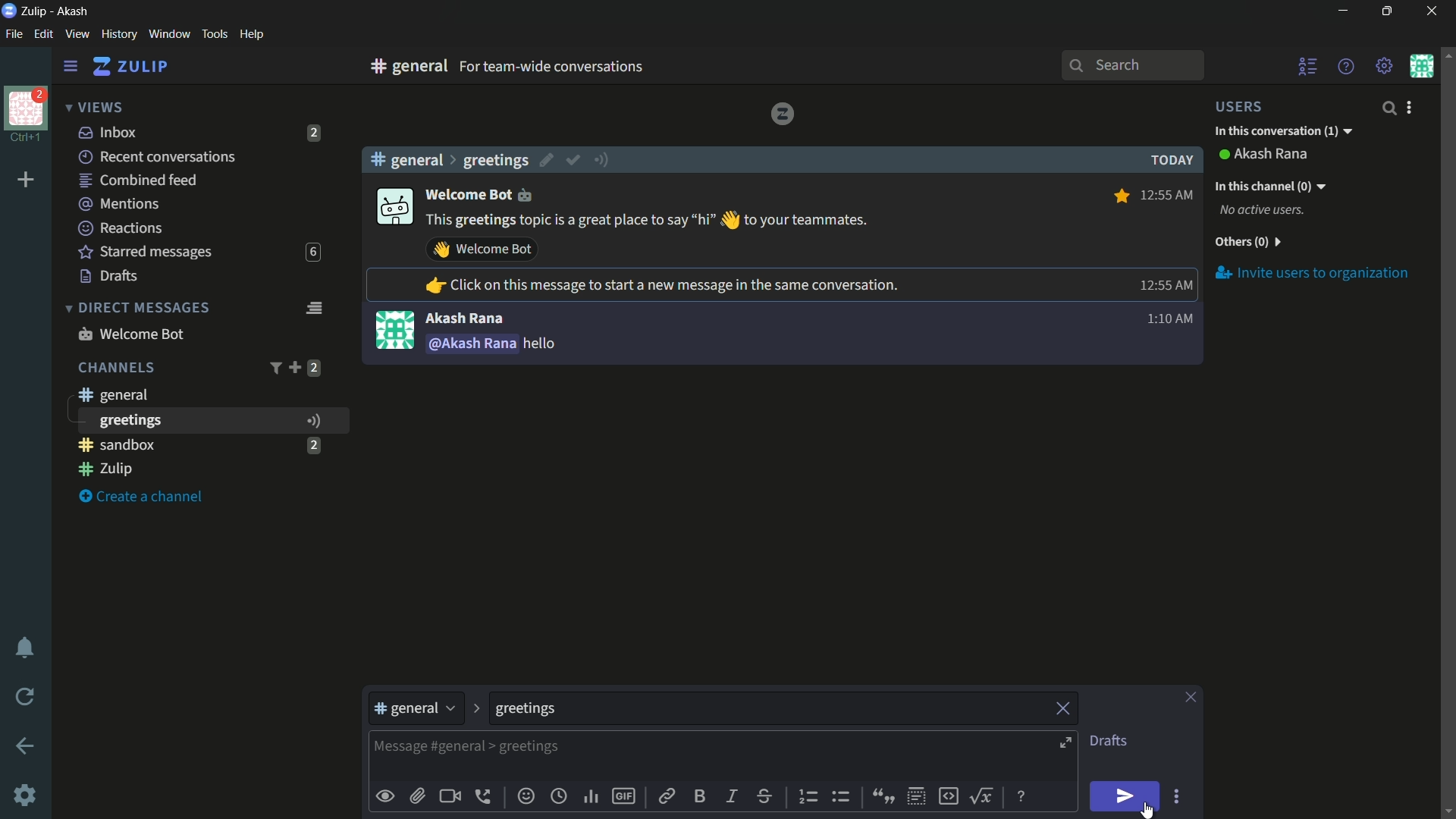 The width and height of the screenshot is (1456, 819). What do you see at coordinates (916, 797) in the screenshot?
I see `spoiler` at bounding box center [916, 797].